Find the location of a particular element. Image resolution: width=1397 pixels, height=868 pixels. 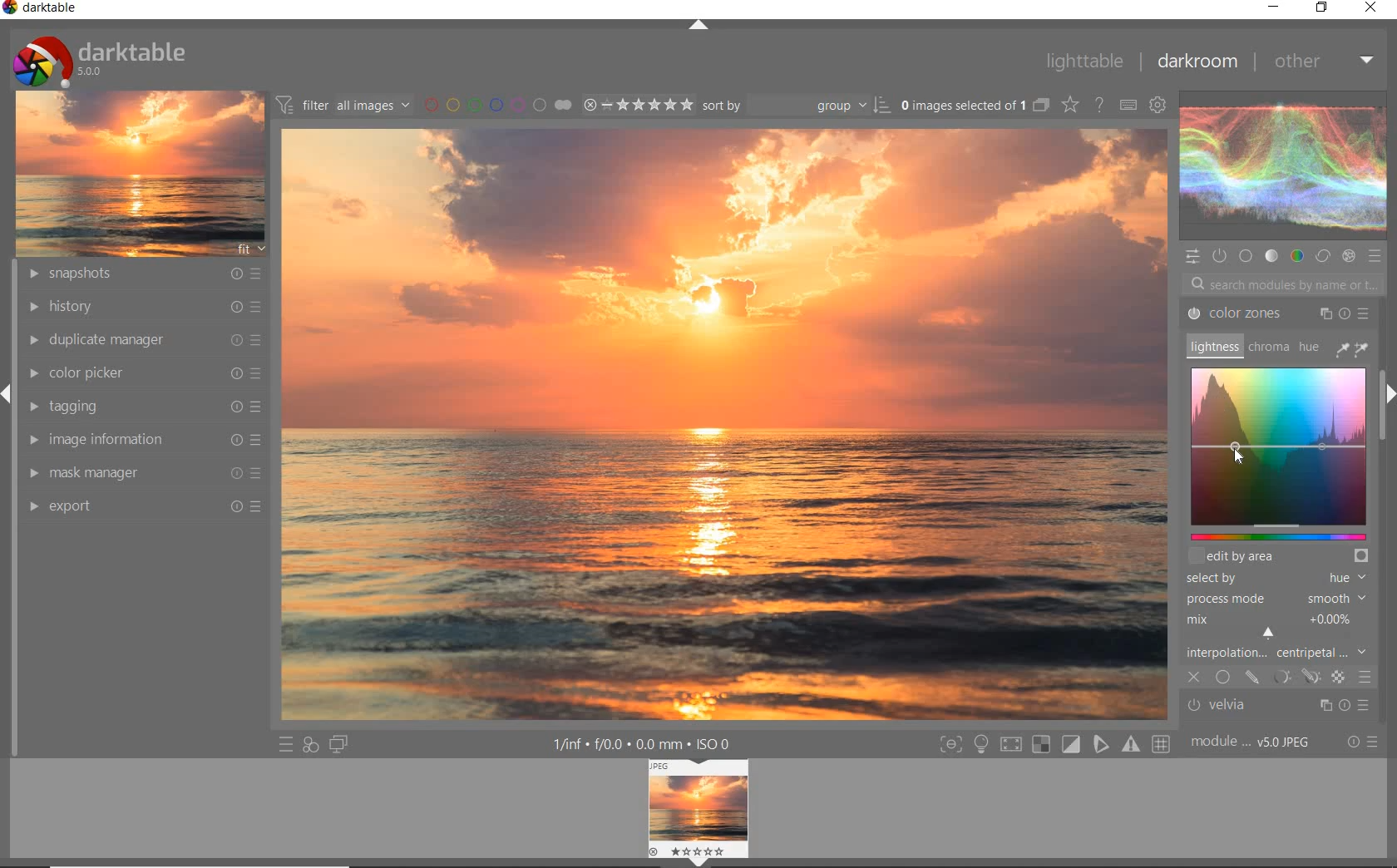

OTHER INTERFACE DETAIL is located at coordinates (645, 744).